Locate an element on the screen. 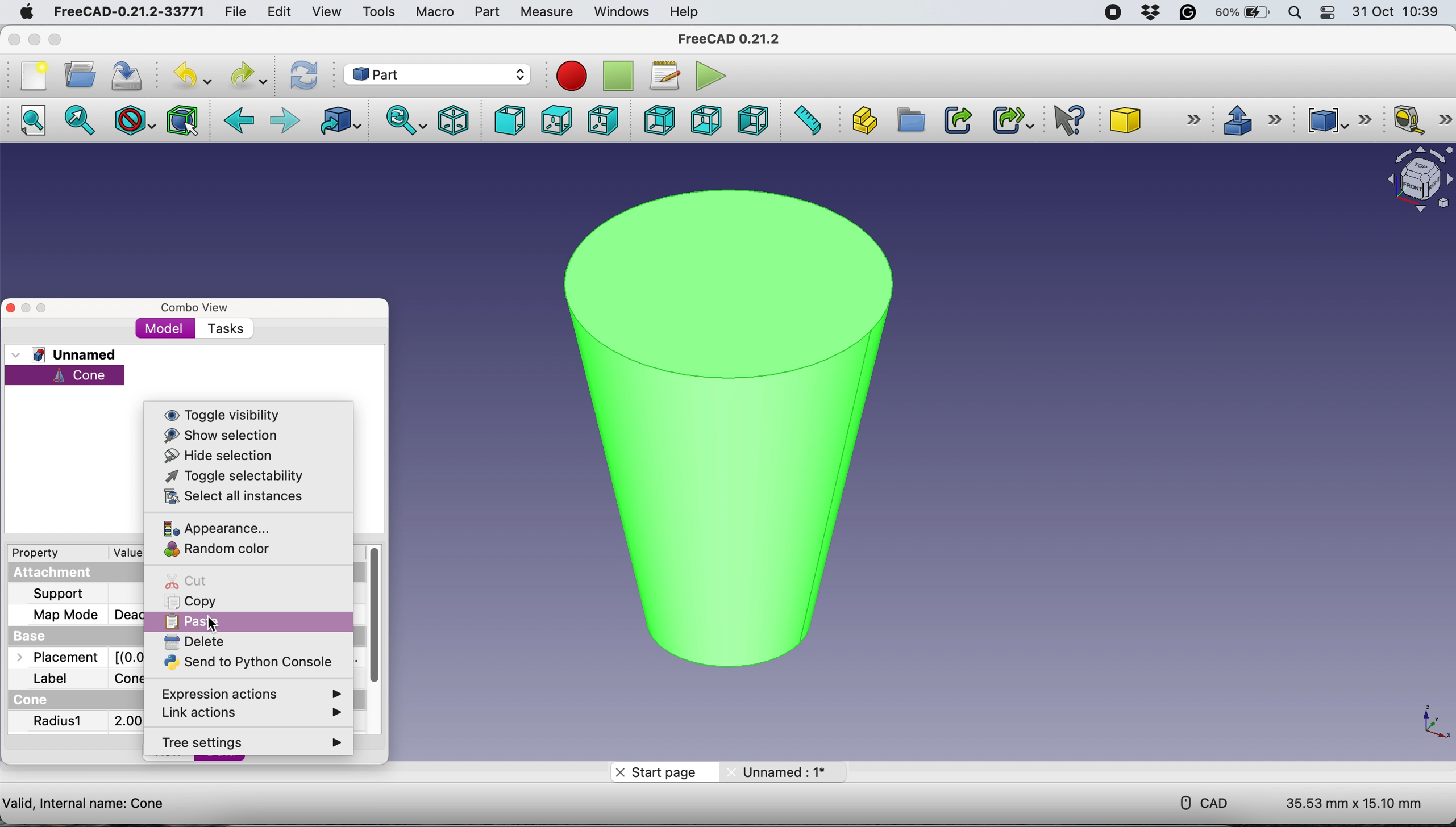  unnamed is located at coordinates (68, 354).